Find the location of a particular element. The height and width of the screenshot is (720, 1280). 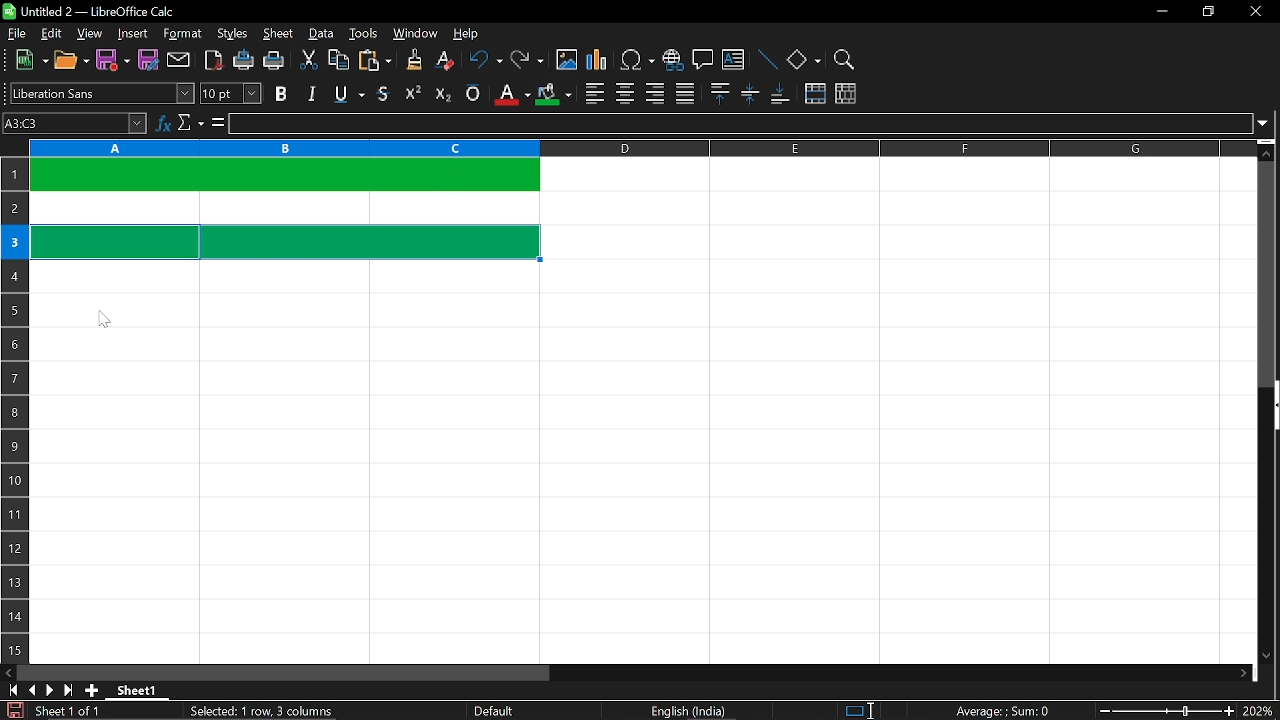

insert chart is located at coordinates (598, 61).